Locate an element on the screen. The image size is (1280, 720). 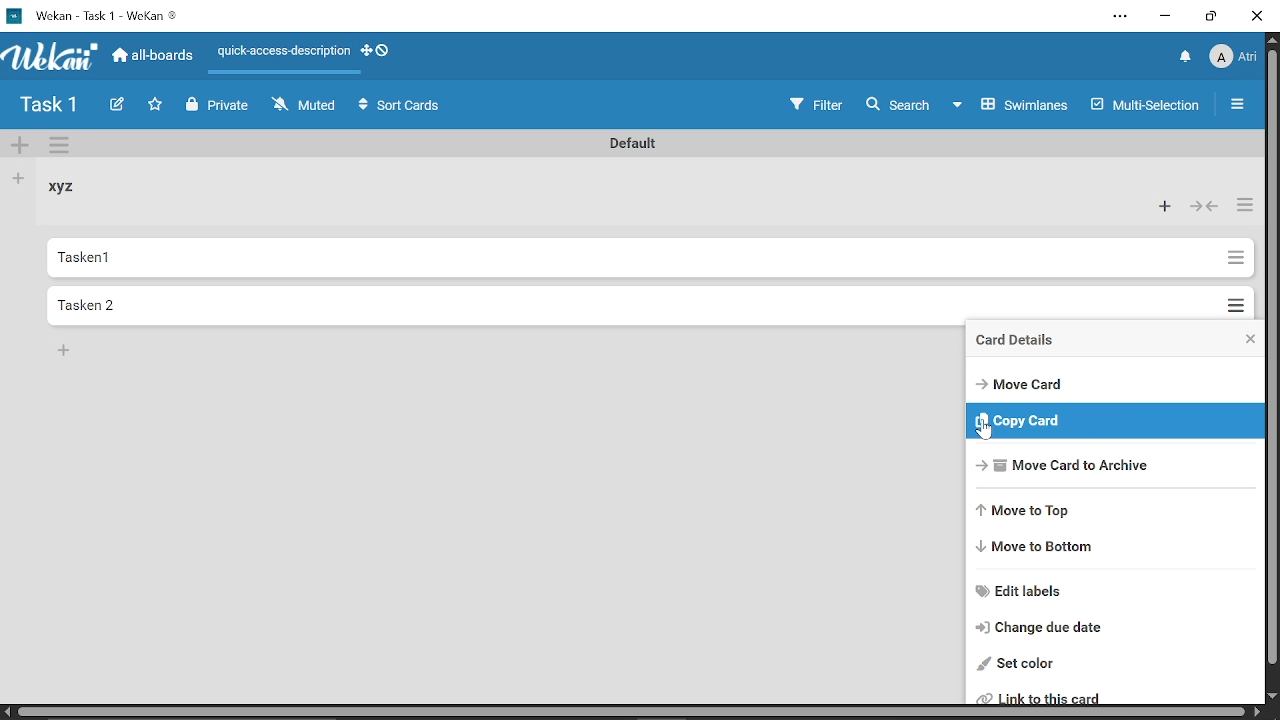
Swimlanes is located at coordinates (1016, 104).